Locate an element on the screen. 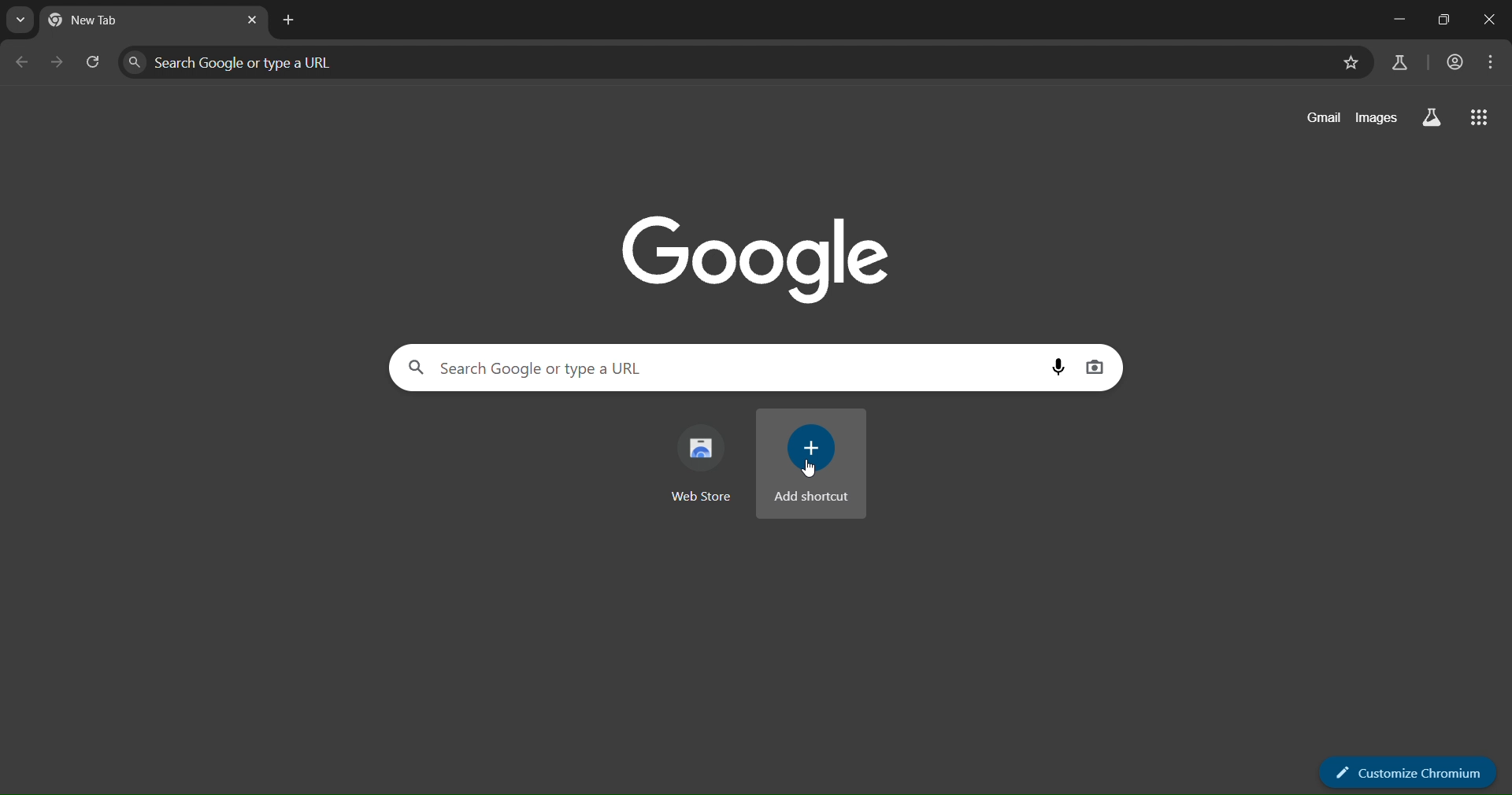 Image resolution: width=1512 pixels, height=795 pixels. menu is located at coordinates (1492, 62).